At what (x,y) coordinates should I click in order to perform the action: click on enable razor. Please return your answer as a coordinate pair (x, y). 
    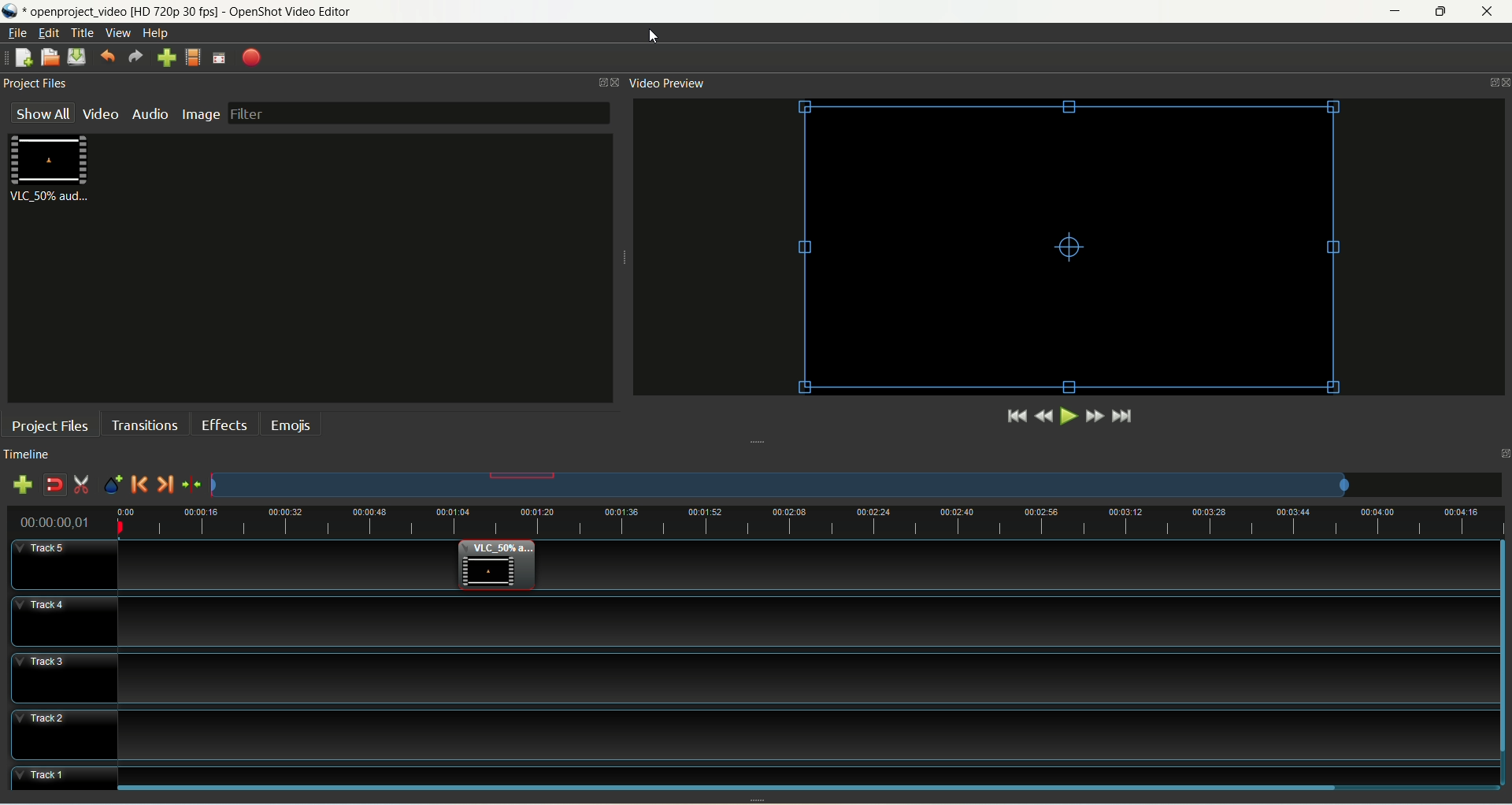
    Looking at the image, I should click on (83, 487).